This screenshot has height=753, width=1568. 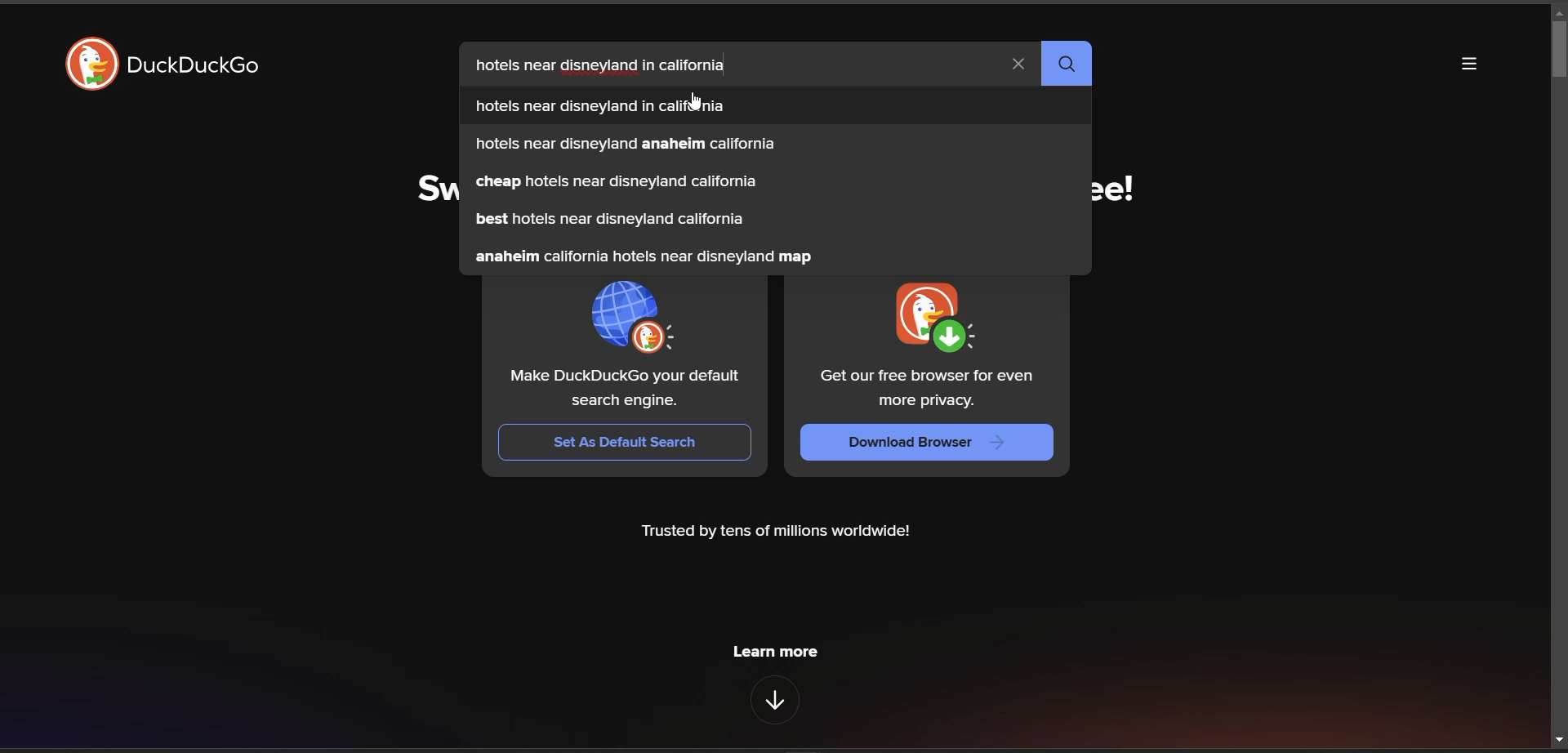 What do you see at coordinates (929, 442) in the screenshot?
I see `Download Browser` at bounding box center [929, 442].